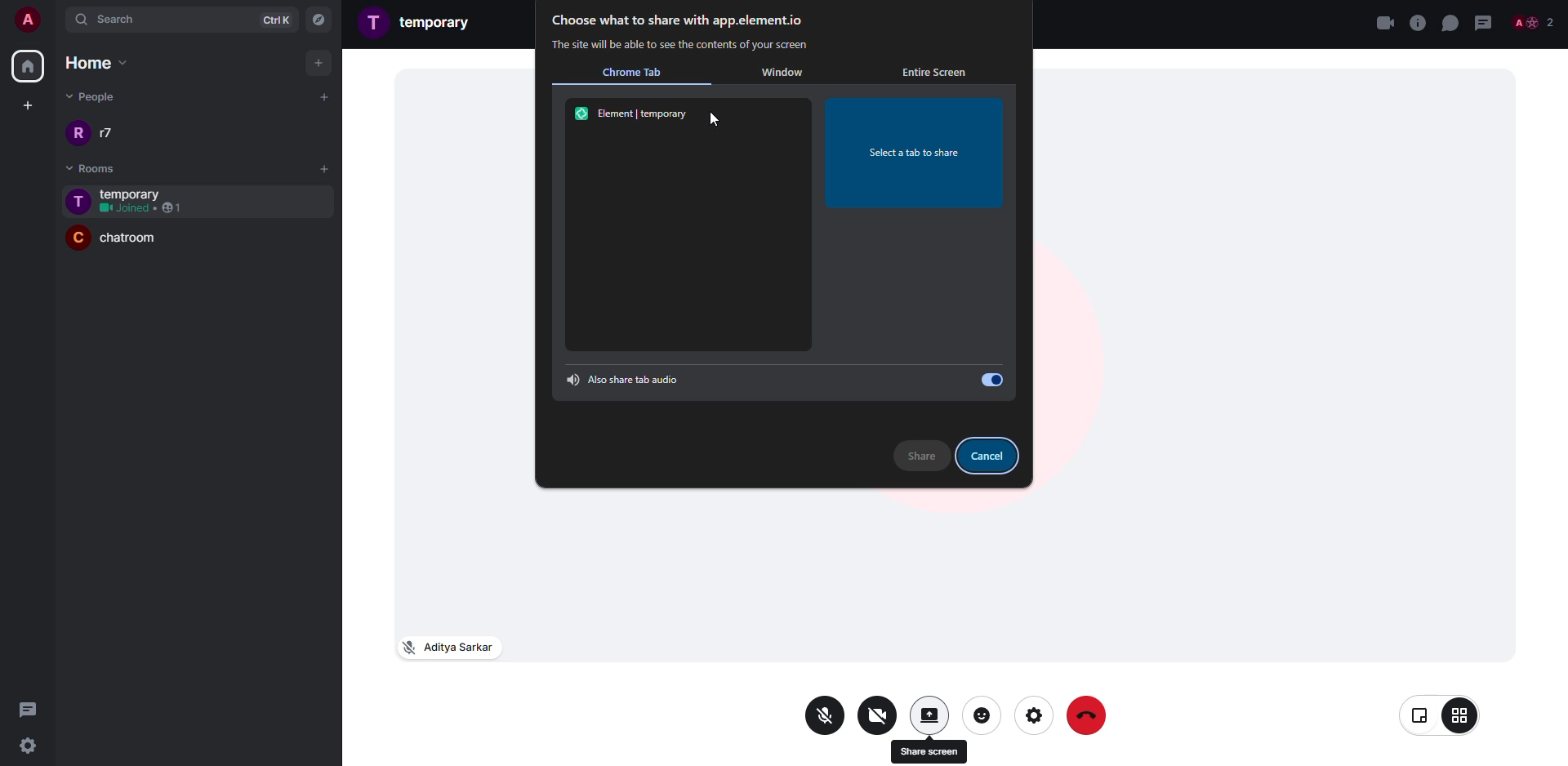 This screenshot has height=766, width=1568. Describe the element at coordinates (140, 20) in the screenshot. I see `search` at that location.